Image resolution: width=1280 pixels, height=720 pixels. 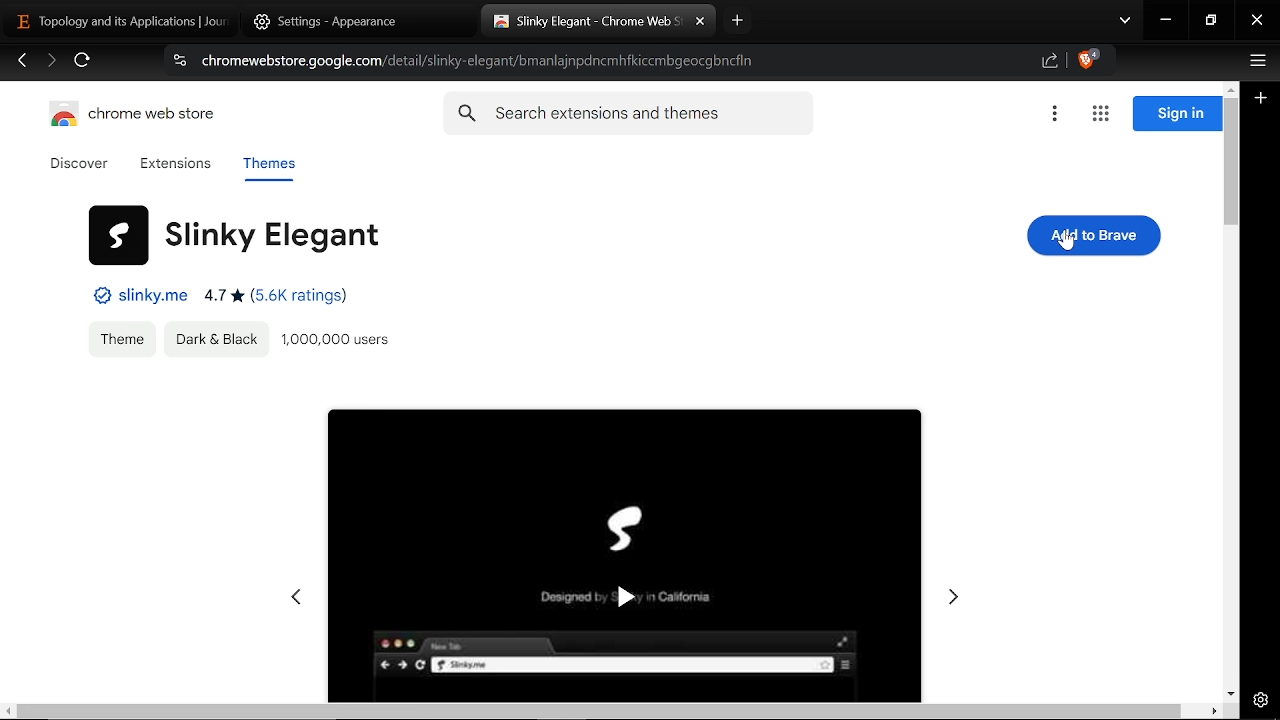 What do you see at coordinates (122, 339) in the screenshot?
I see `Theme` at bounding box center [122, 339].